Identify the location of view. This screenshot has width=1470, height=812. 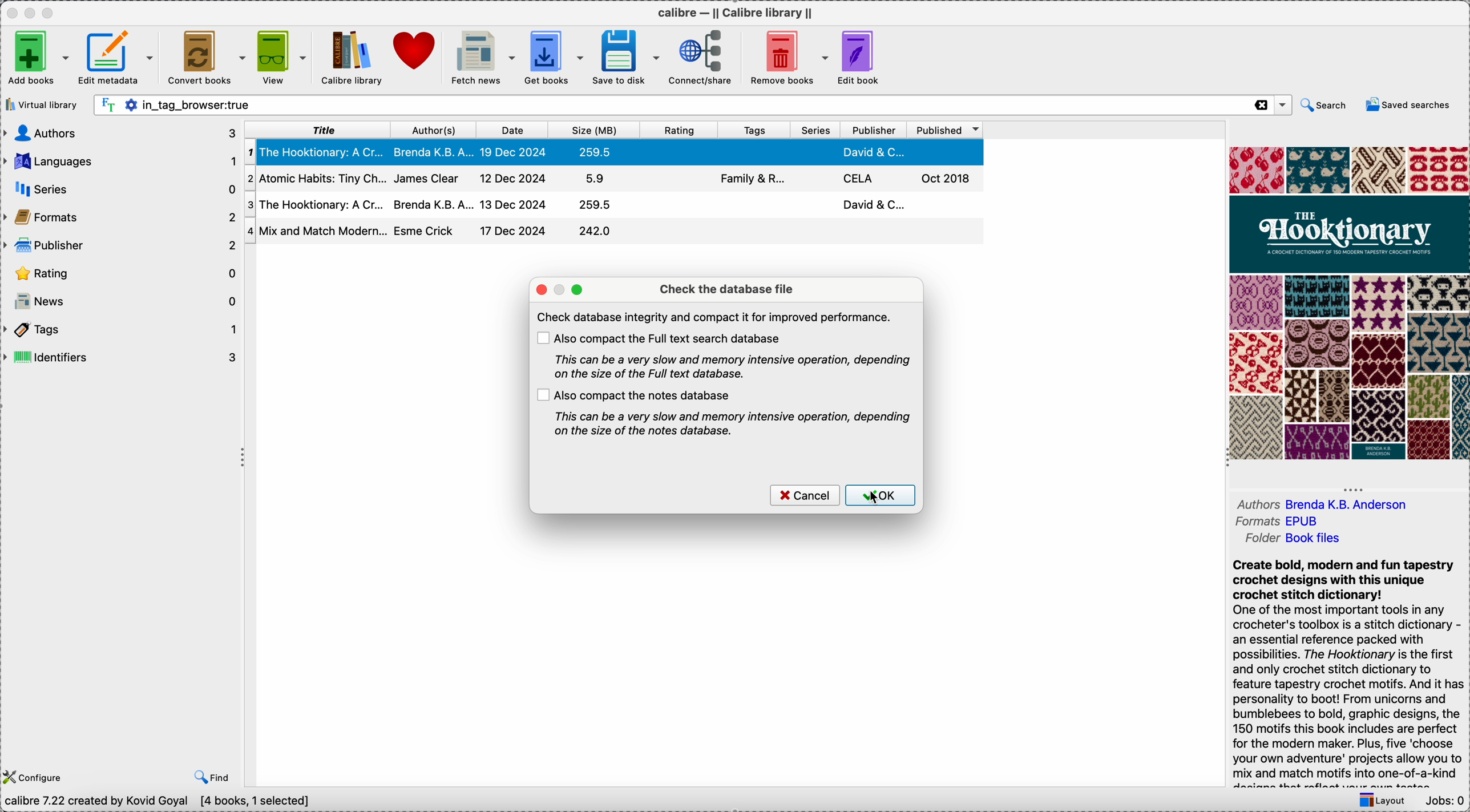
(282, 58).